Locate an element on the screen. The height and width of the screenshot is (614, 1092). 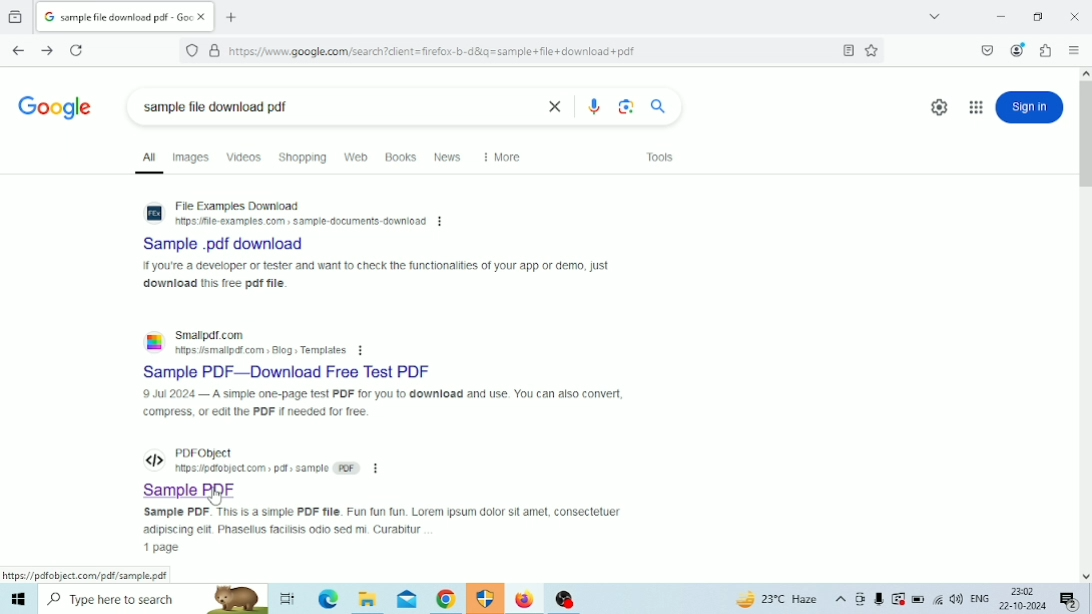
Link is located at coordinates (85, 575).